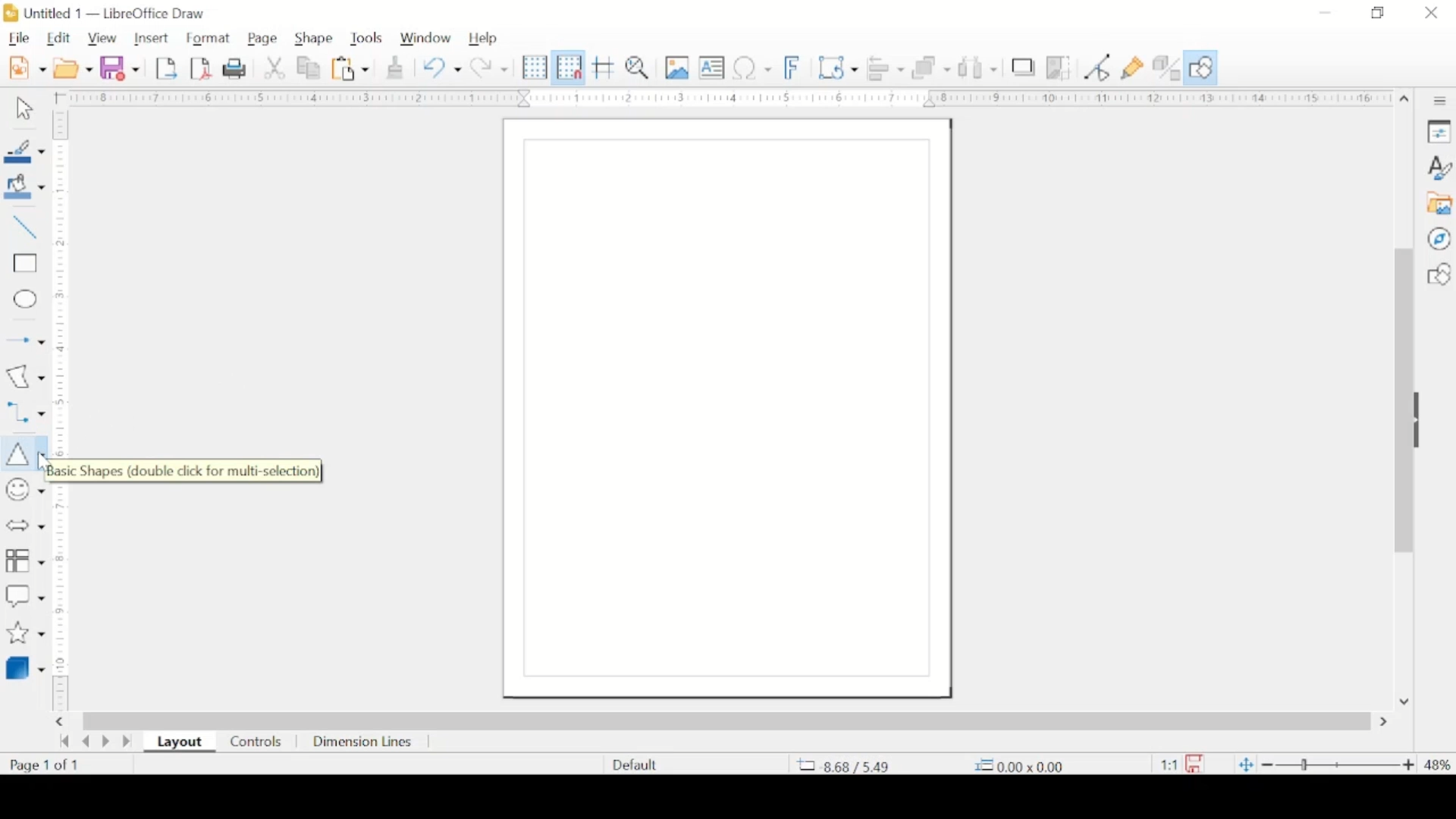 The image size is (1456, 819). What do you see at coordinates (1167, 67) in the screenshot?
I see `toggle extrusion` at bounding box center [1167, 67].